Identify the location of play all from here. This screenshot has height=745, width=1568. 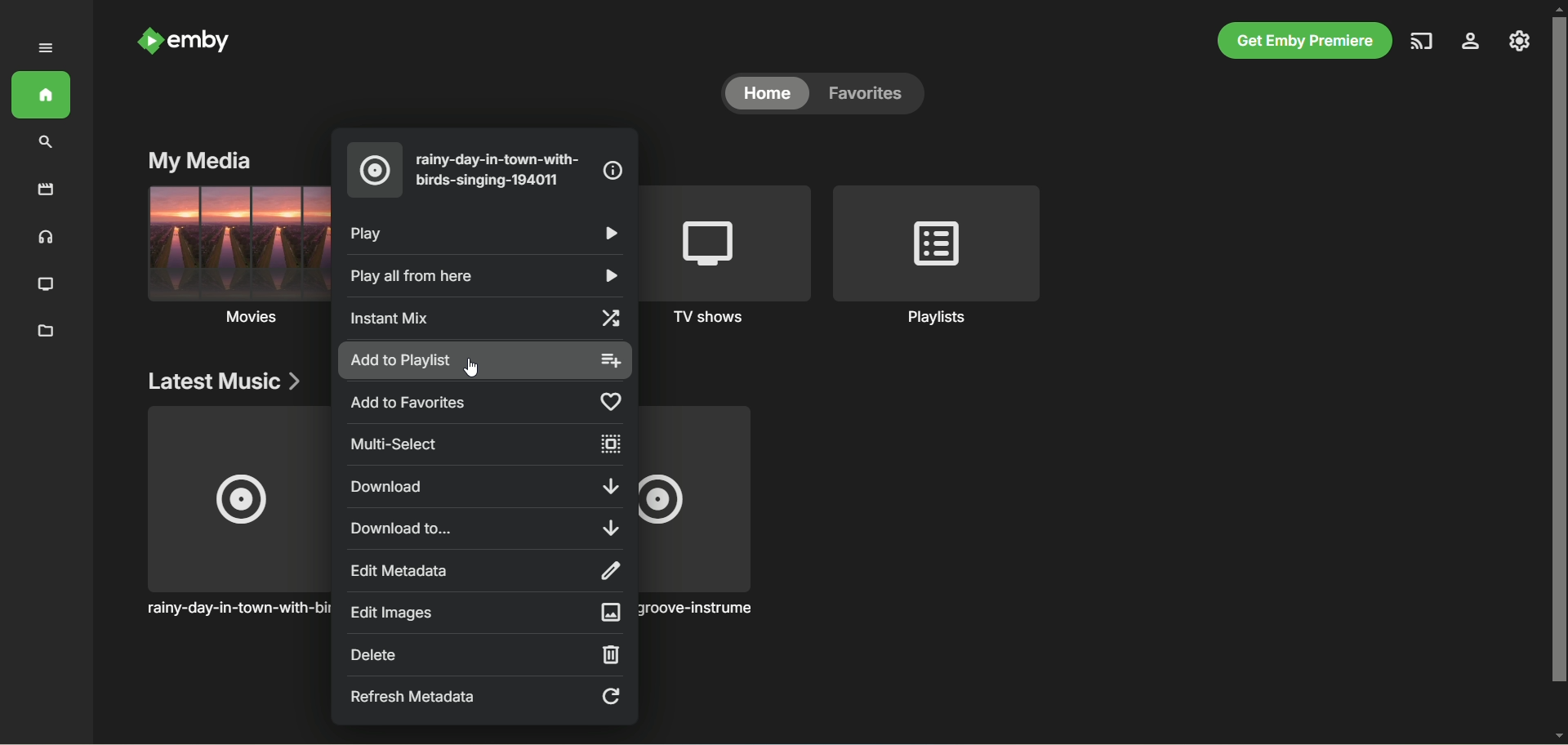
(483, 276).